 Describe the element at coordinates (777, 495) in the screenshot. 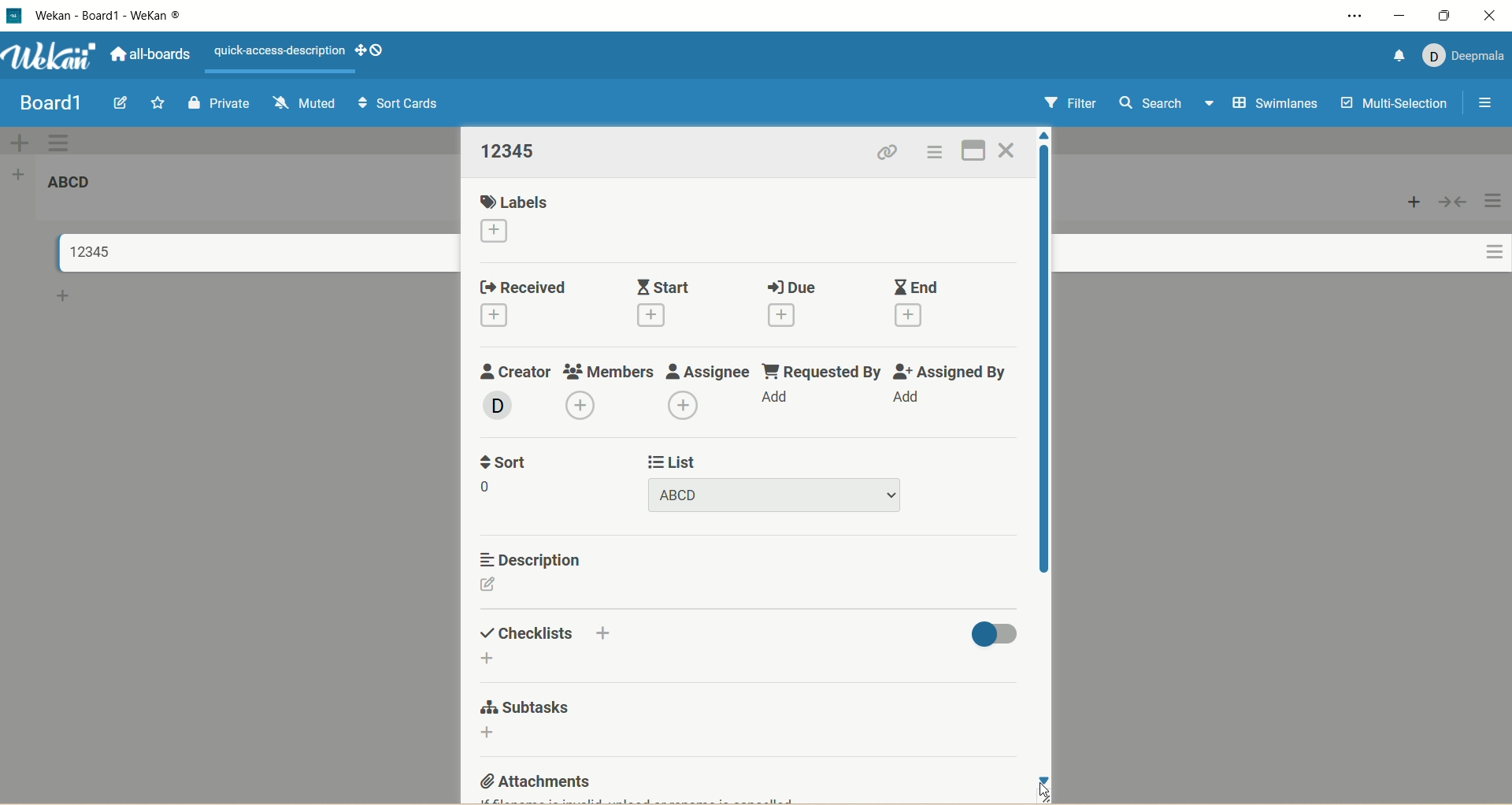

I see `title` at that location.